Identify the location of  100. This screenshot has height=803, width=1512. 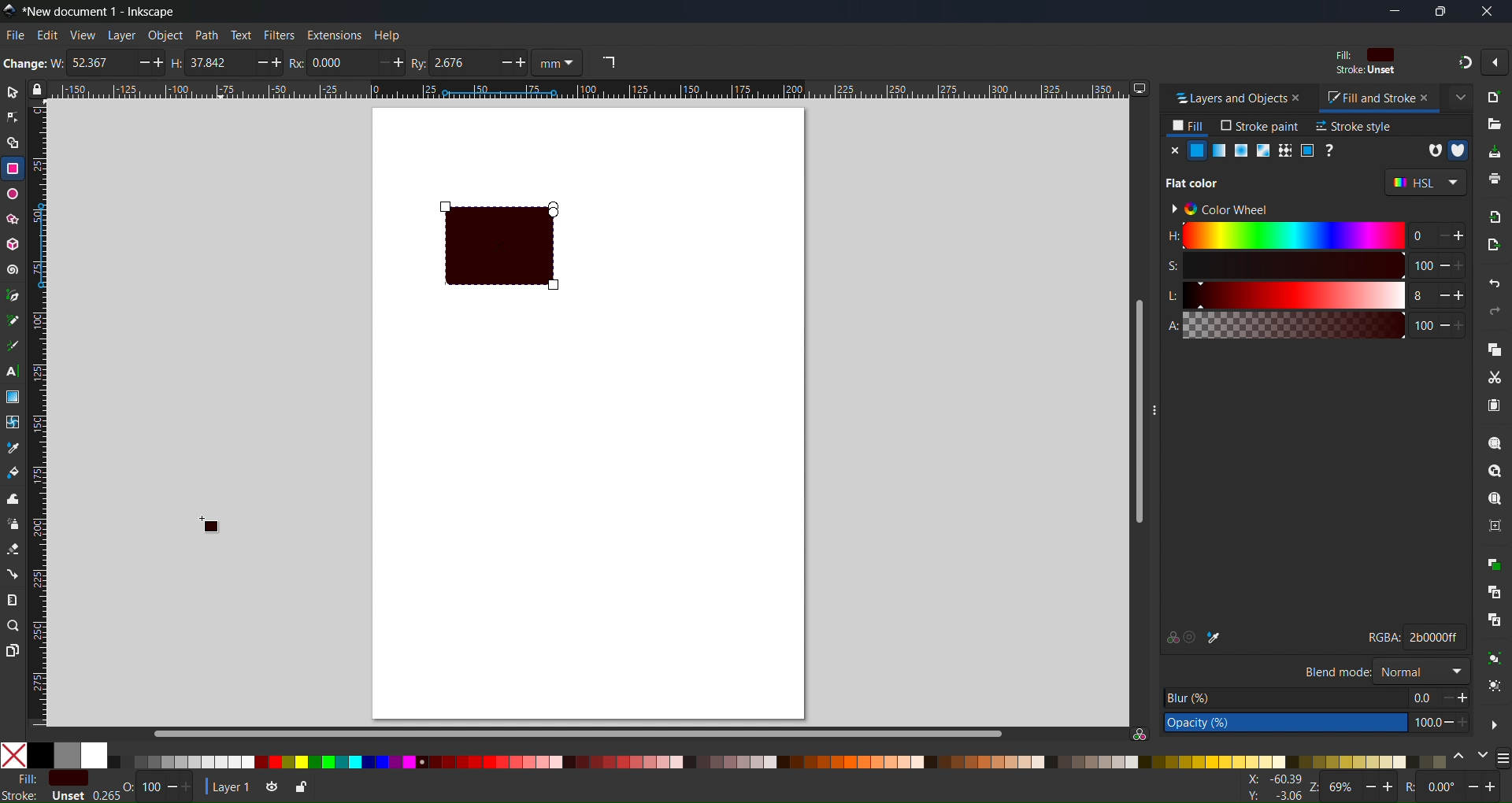
(1421, 326).